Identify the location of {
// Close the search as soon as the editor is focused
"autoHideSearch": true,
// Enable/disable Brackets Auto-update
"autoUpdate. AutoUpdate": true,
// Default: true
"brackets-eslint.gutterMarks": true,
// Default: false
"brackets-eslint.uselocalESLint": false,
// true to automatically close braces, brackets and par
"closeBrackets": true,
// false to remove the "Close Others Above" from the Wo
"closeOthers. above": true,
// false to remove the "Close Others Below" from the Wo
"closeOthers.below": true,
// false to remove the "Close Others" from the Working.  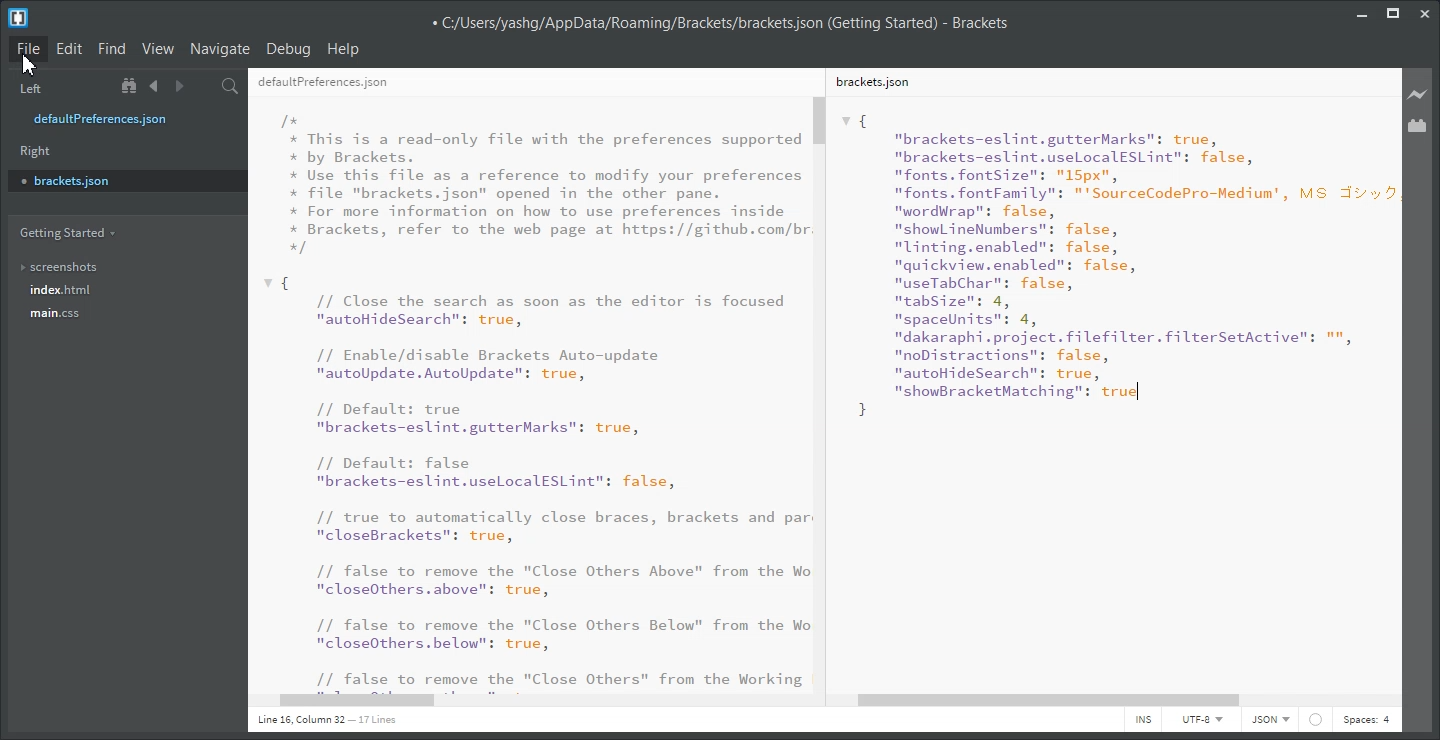
(536, 482).